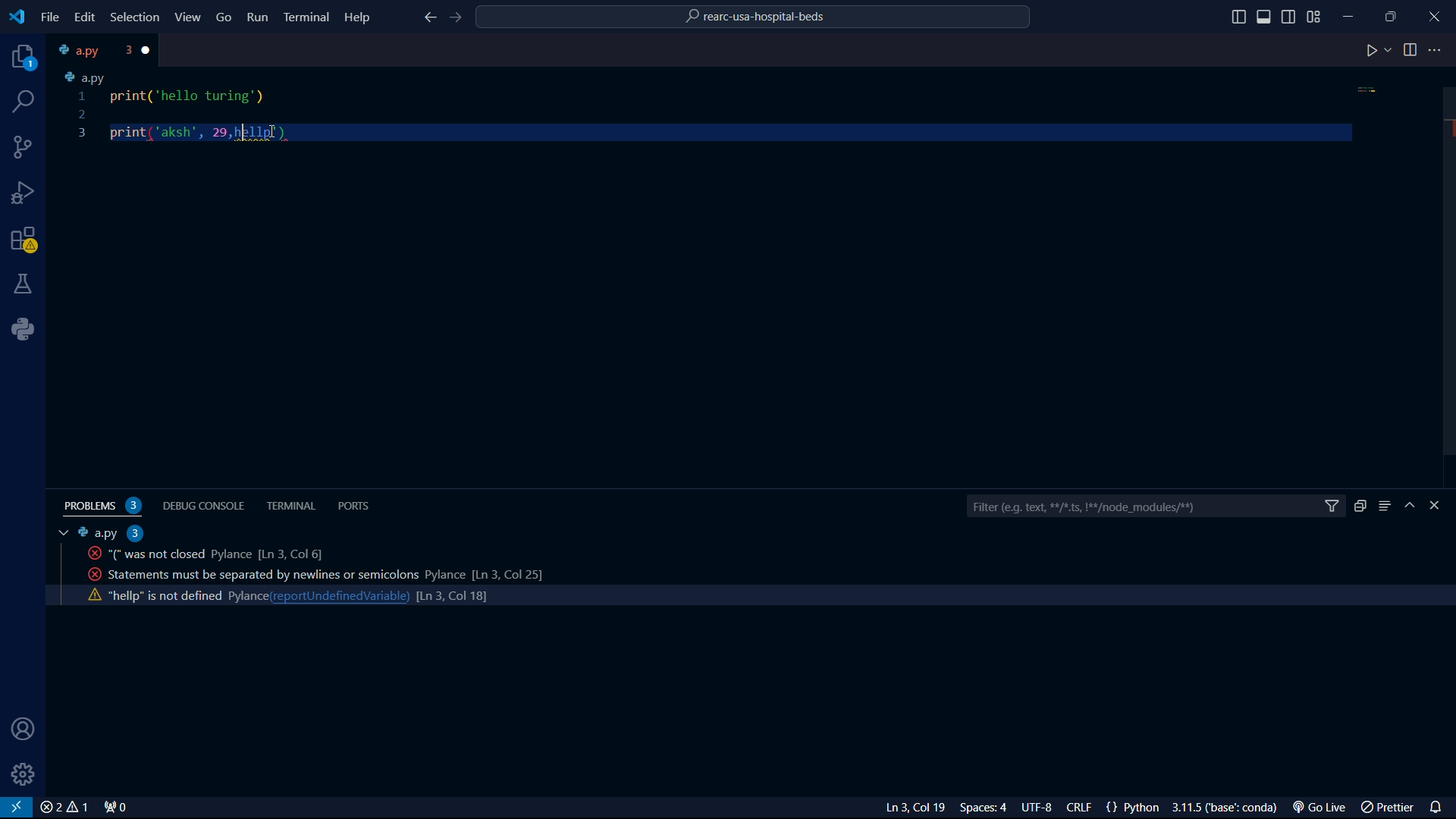  Describe the element at coordinates (1437, 50) in the screenshot. I see `more options` at that location.